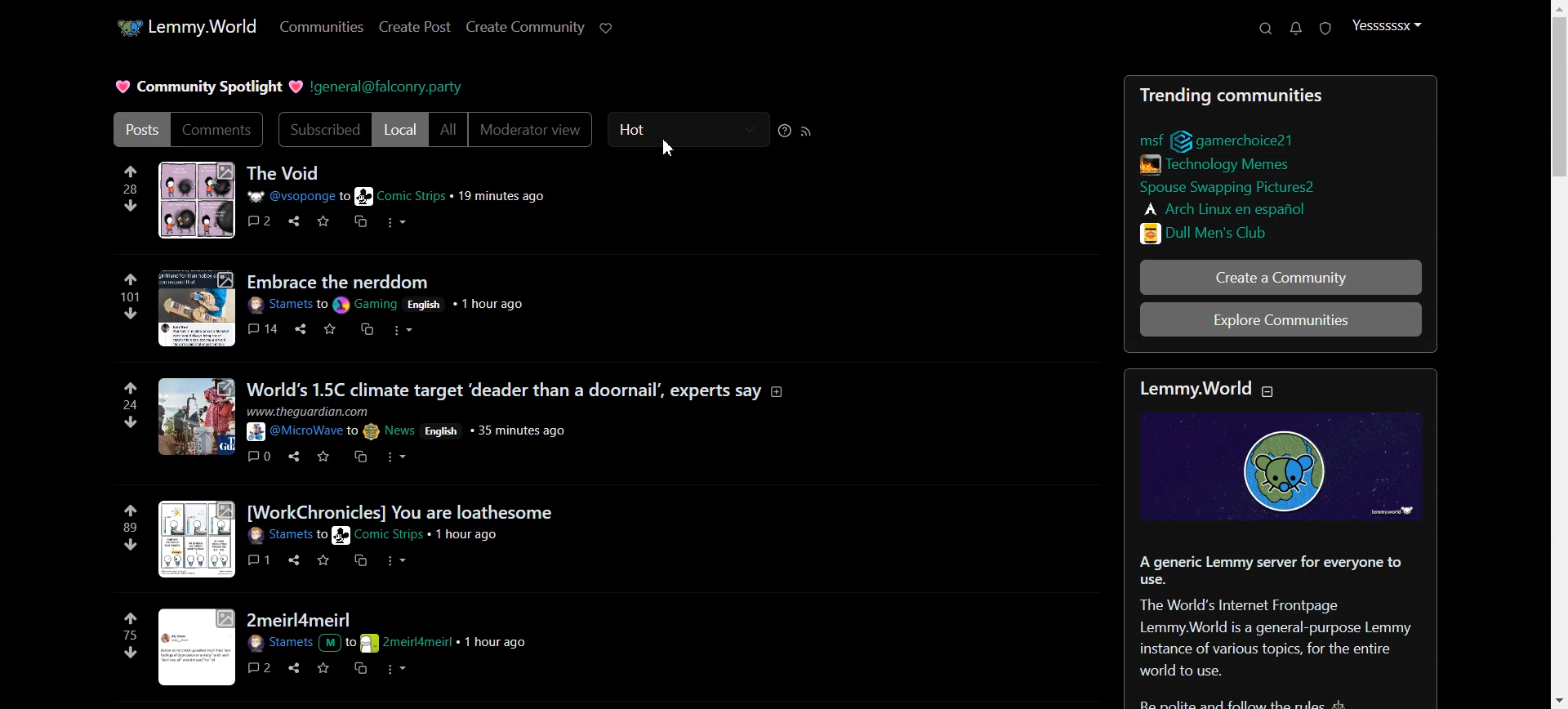 The image size is (1568, 709). What do you see at coordinates (359, 221) in the screenshot?
I see `cross post` at bounding box center [359, 221].